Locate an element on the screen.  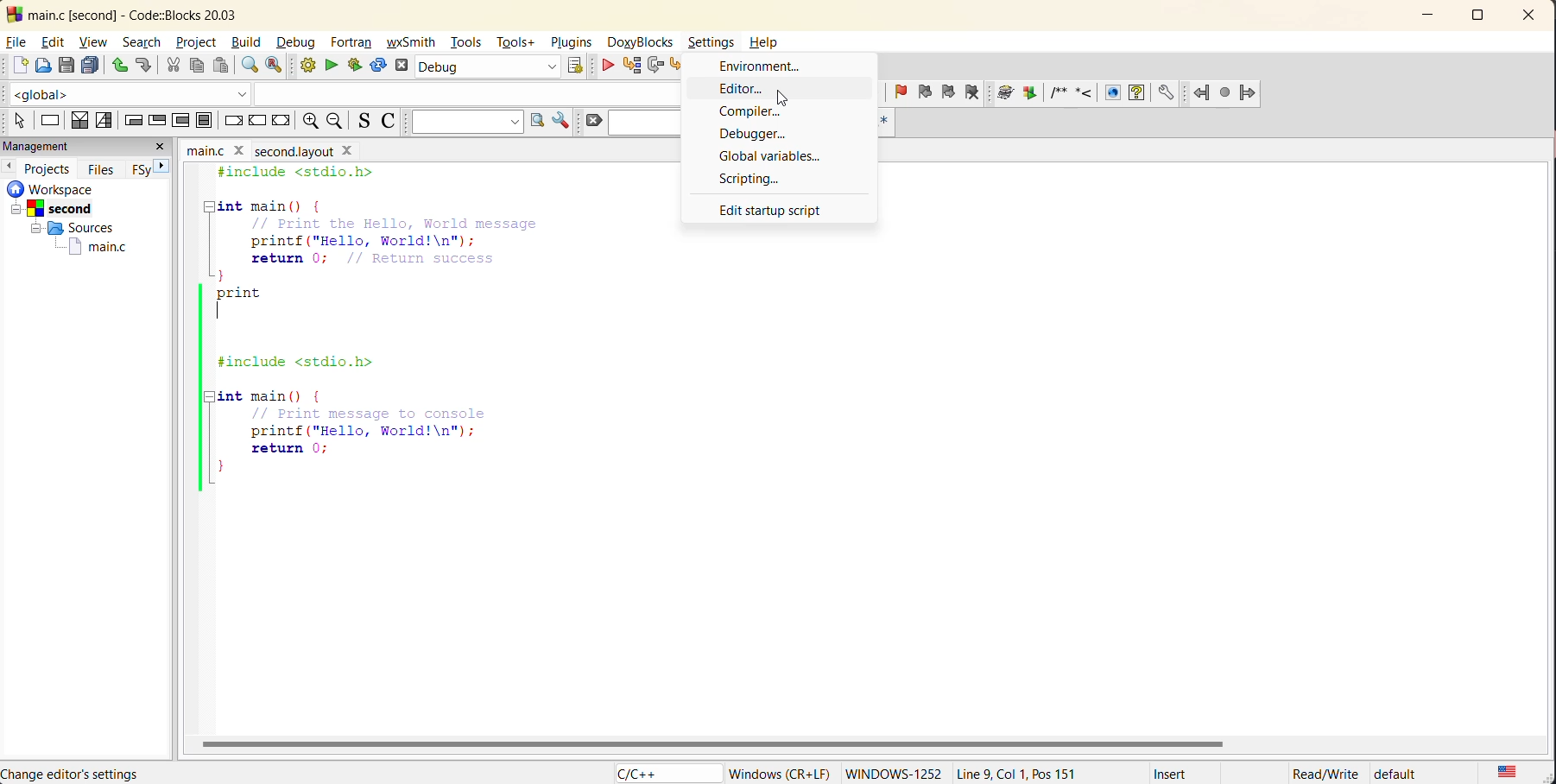
jump backword is located at coordinates (1202, 93).